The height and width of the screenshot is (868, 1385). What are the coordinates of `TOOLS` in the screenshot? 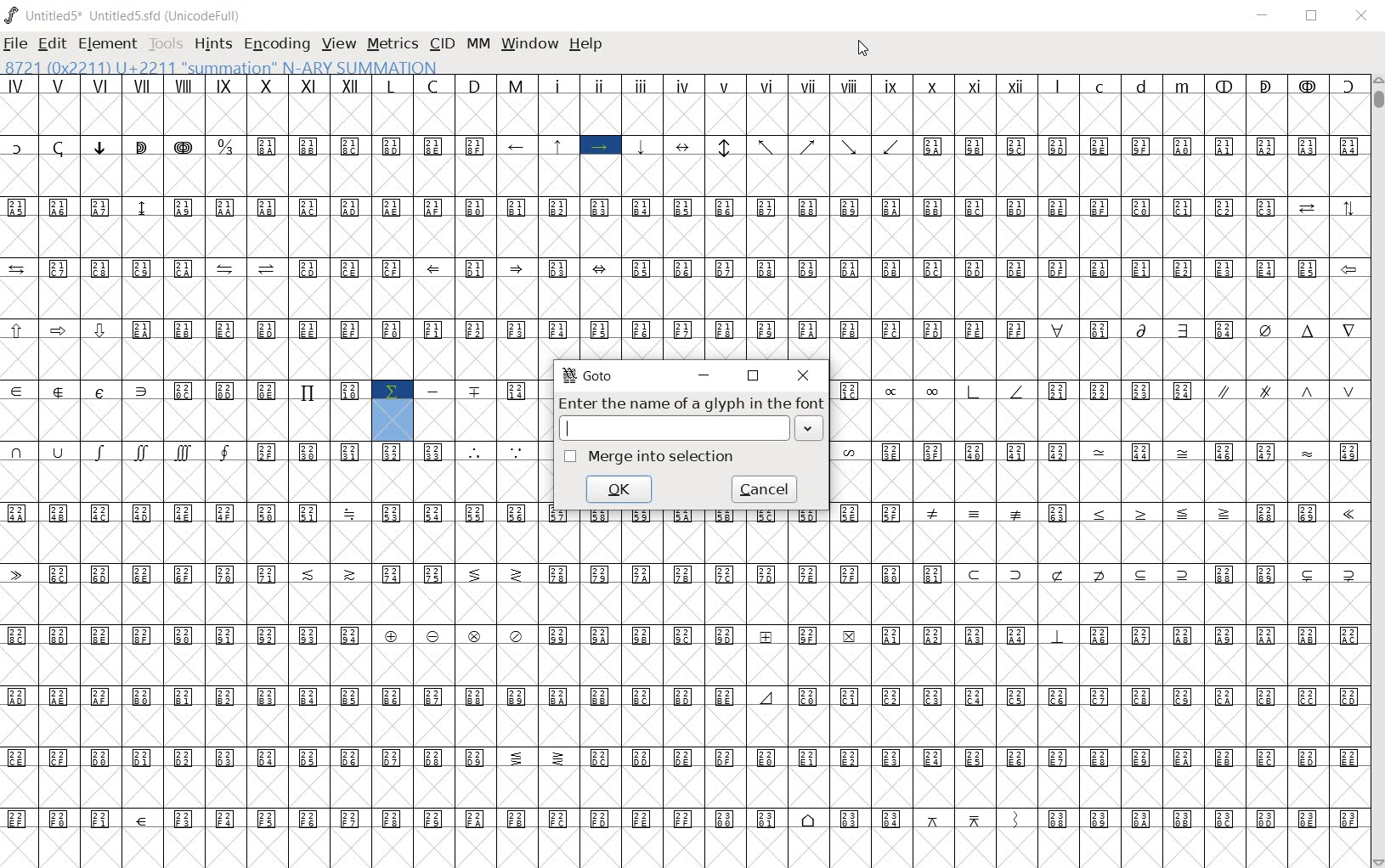 It's located at (166, 44).